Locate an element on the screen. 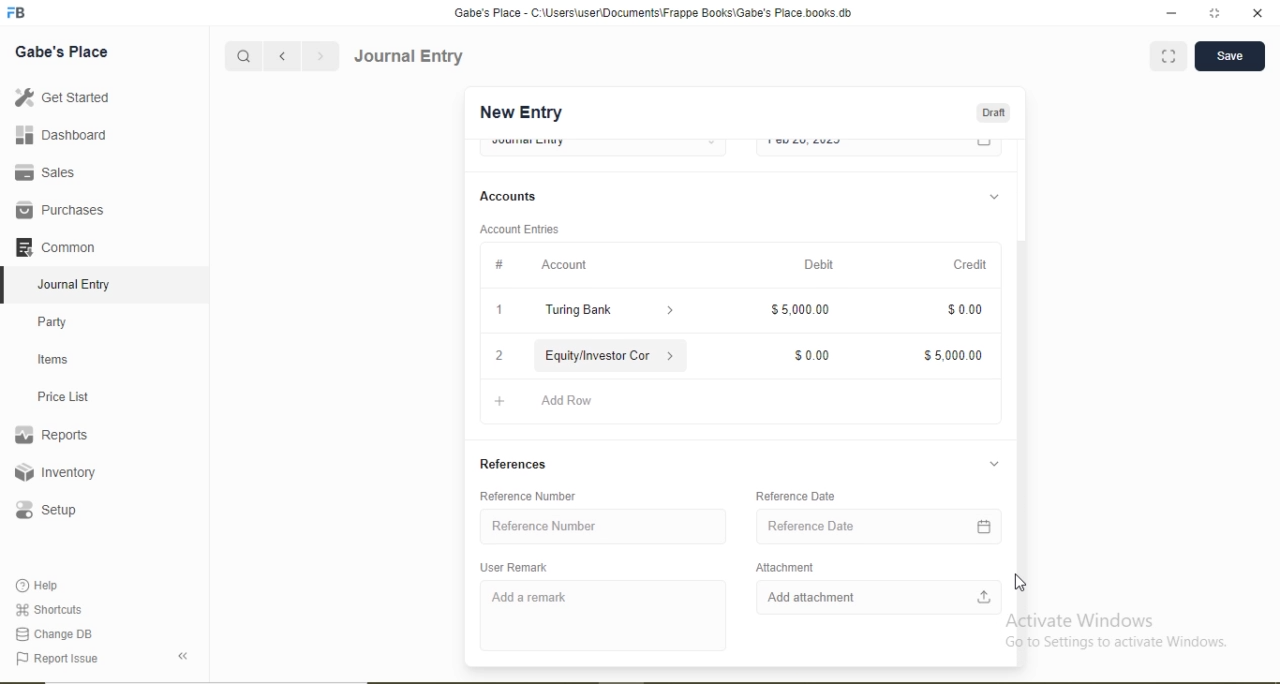  # is located at coordinates (499, 266).